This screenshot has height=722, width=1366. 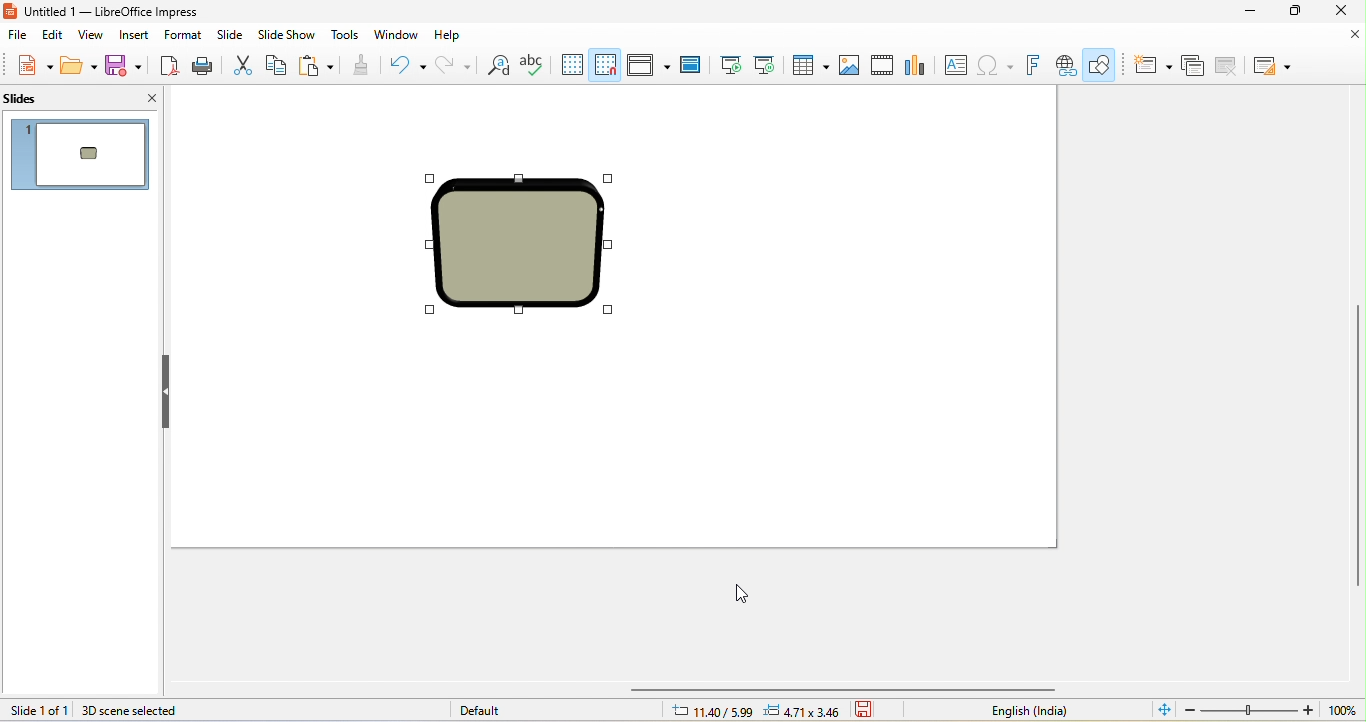 What do you see at coordinates (695, 65) in the screenshot?
I see `master slide` at bounding box center [695, 65].